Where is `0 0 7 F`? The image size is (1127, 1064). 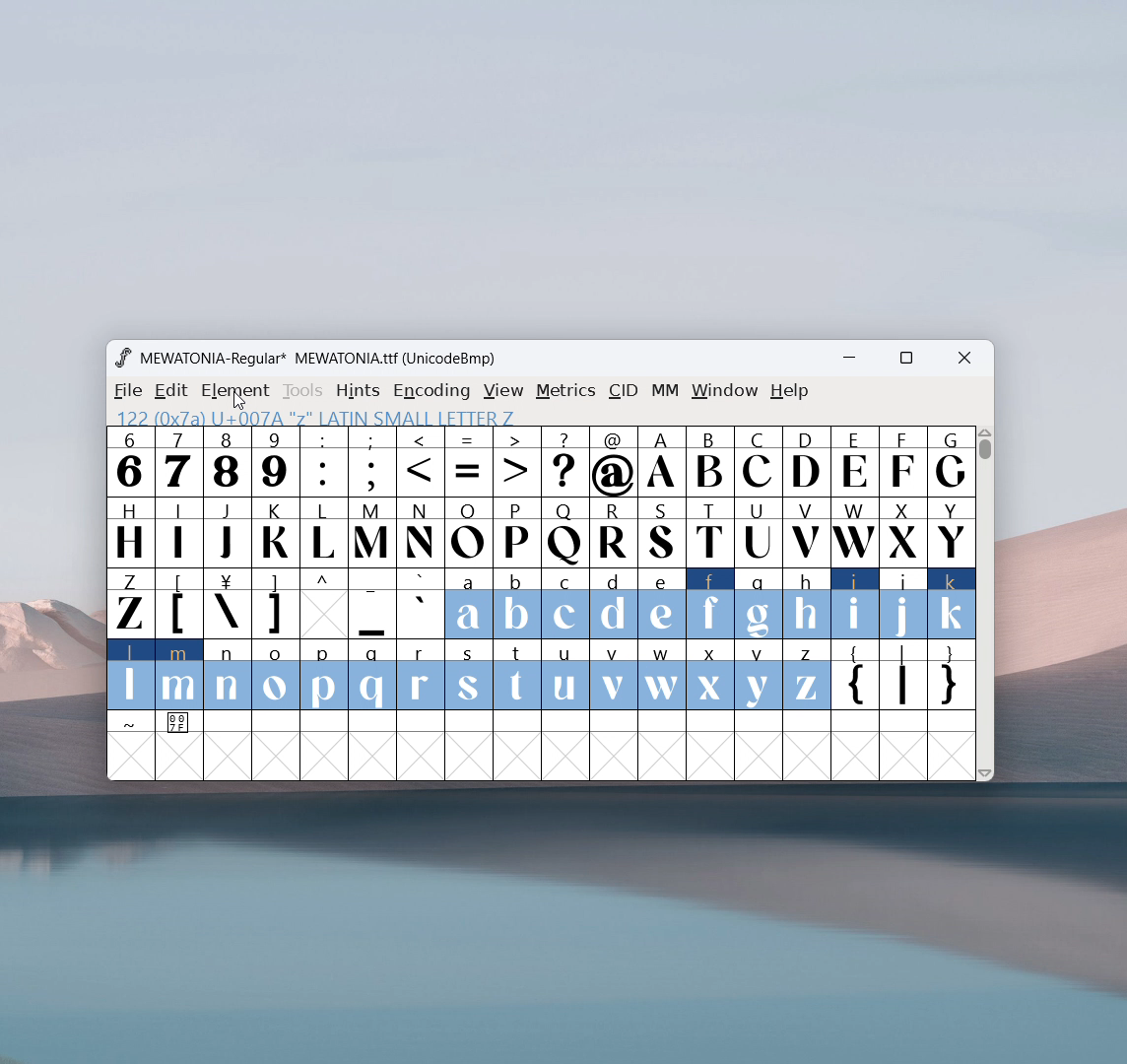 0 0 7 F is located at coordinates (180, 725).